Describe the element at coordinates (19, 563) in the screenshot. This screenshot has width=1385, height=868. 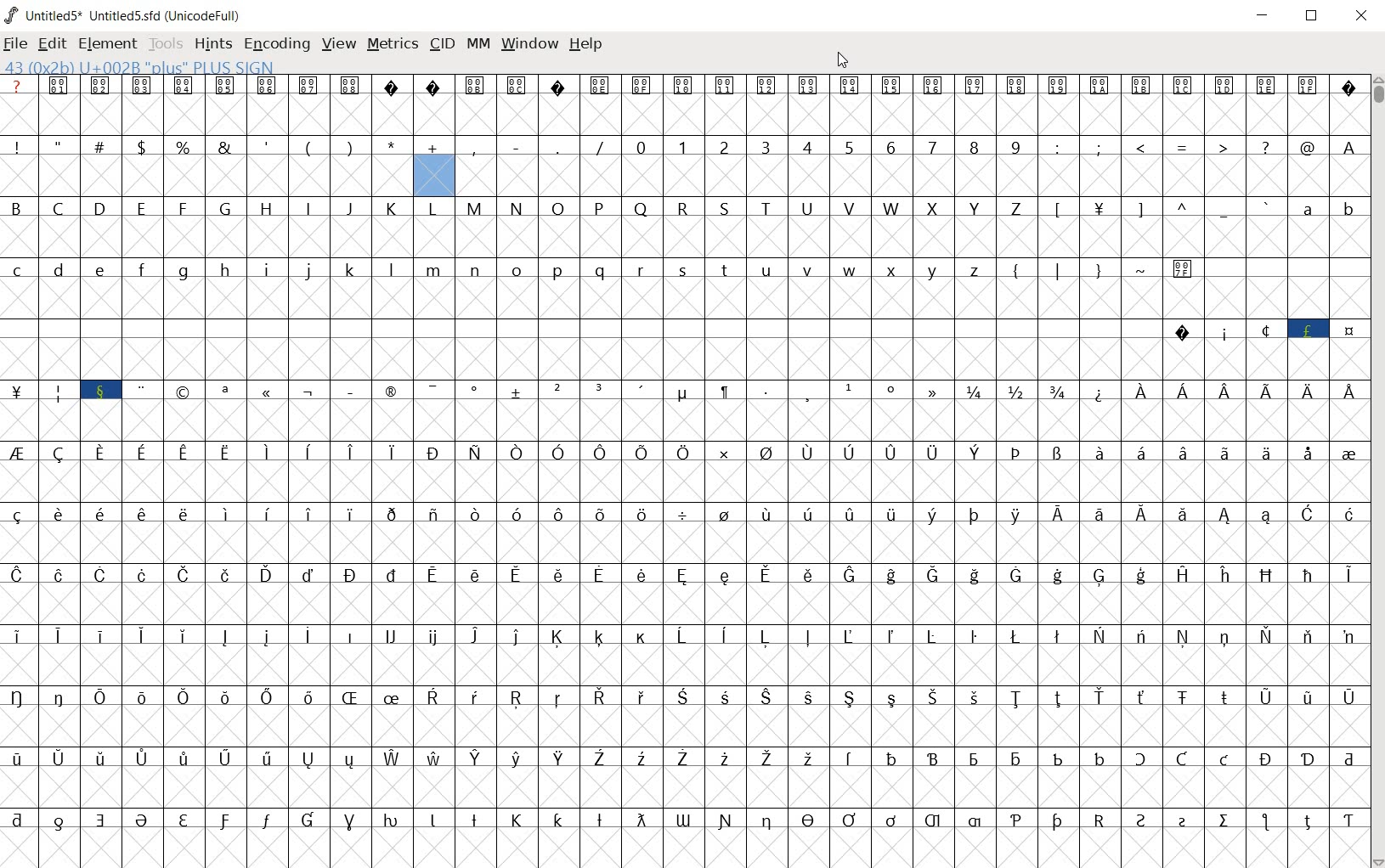
I see `special characters` at that location.